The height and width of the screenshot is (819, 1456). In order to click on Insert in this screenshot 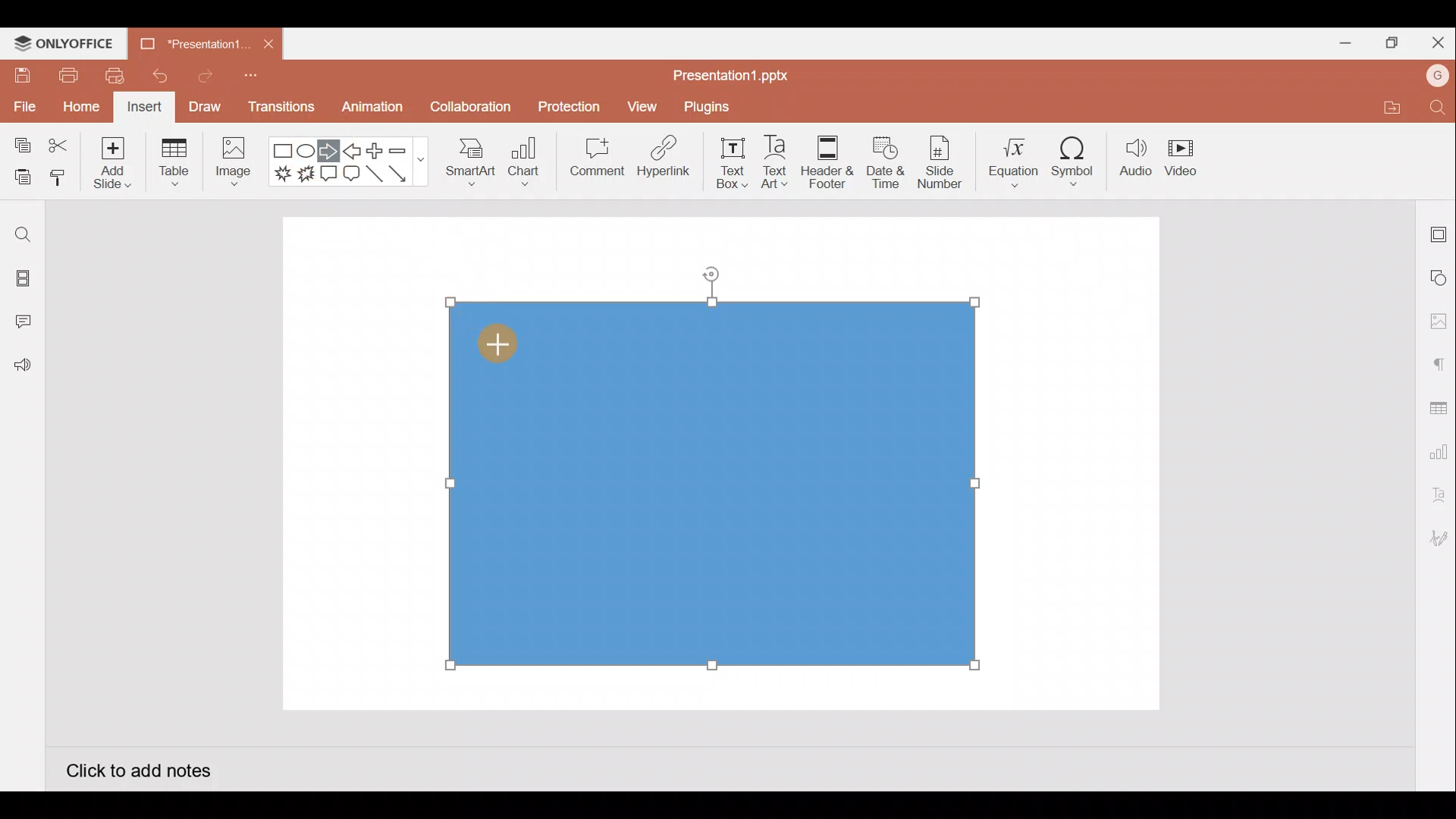, I will do `click(145, 108)`.